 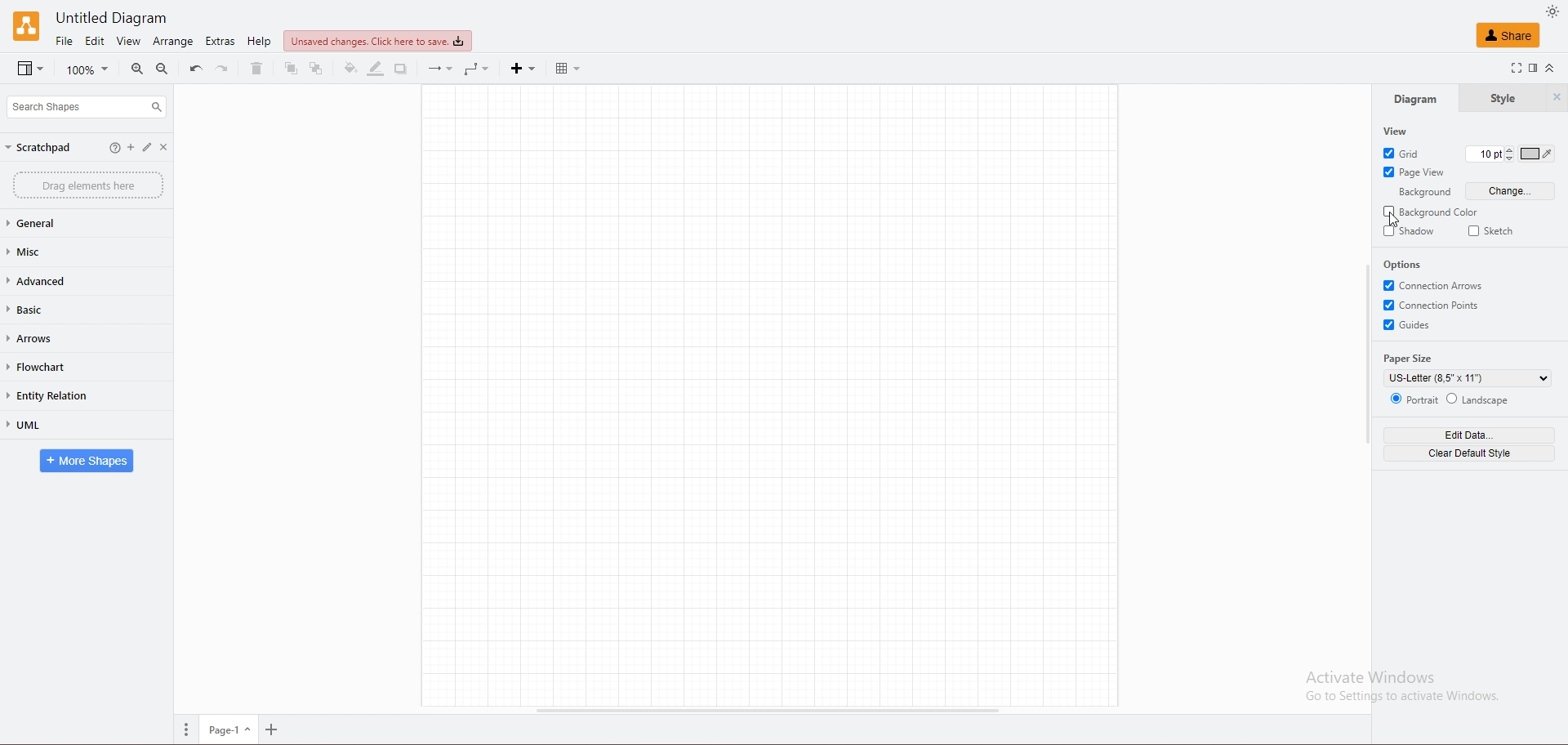 I want to click on general, so click(x=68, y=224).